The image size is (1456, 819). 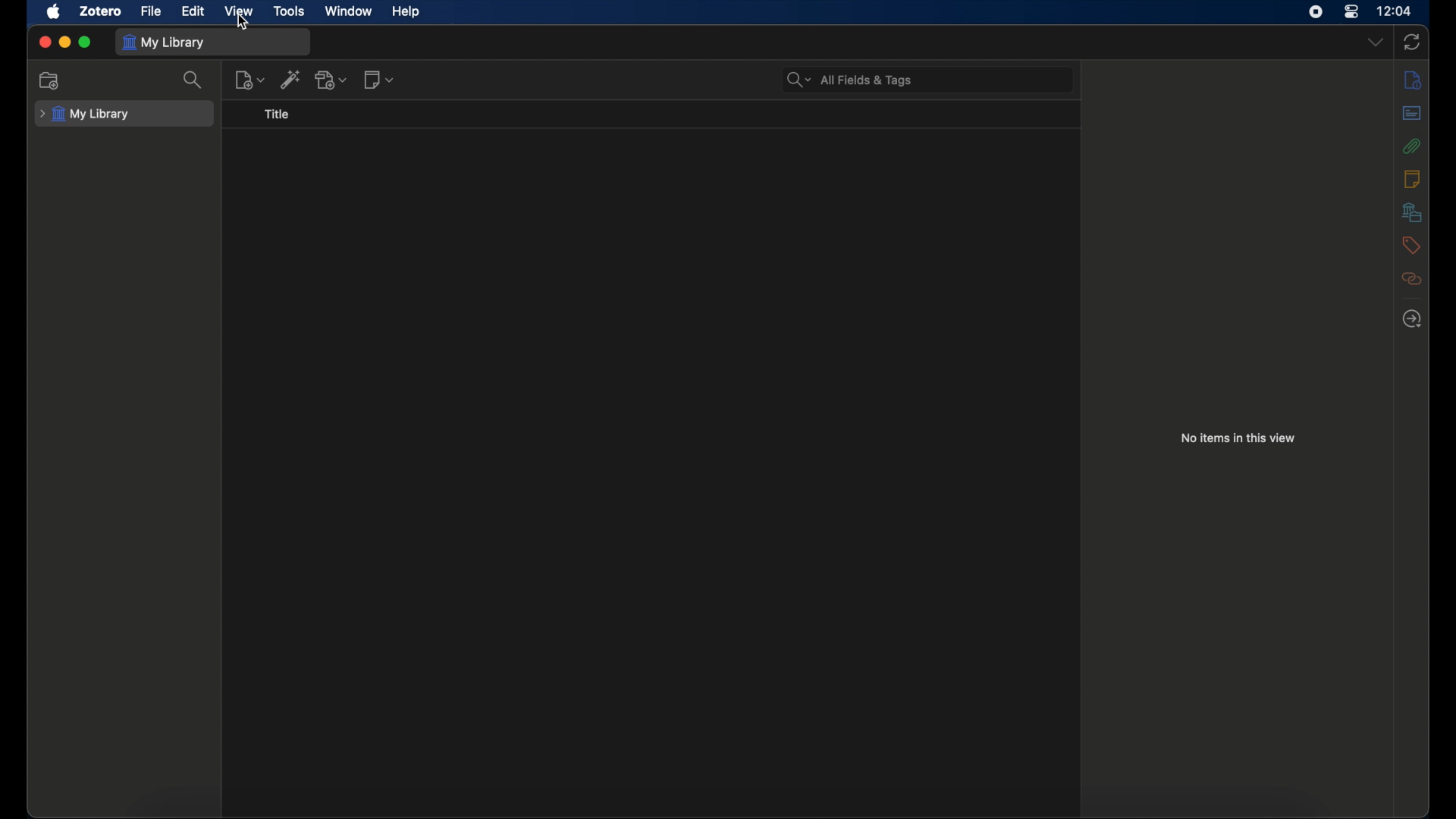 I want to click on related, so click(x=1412, y=279).